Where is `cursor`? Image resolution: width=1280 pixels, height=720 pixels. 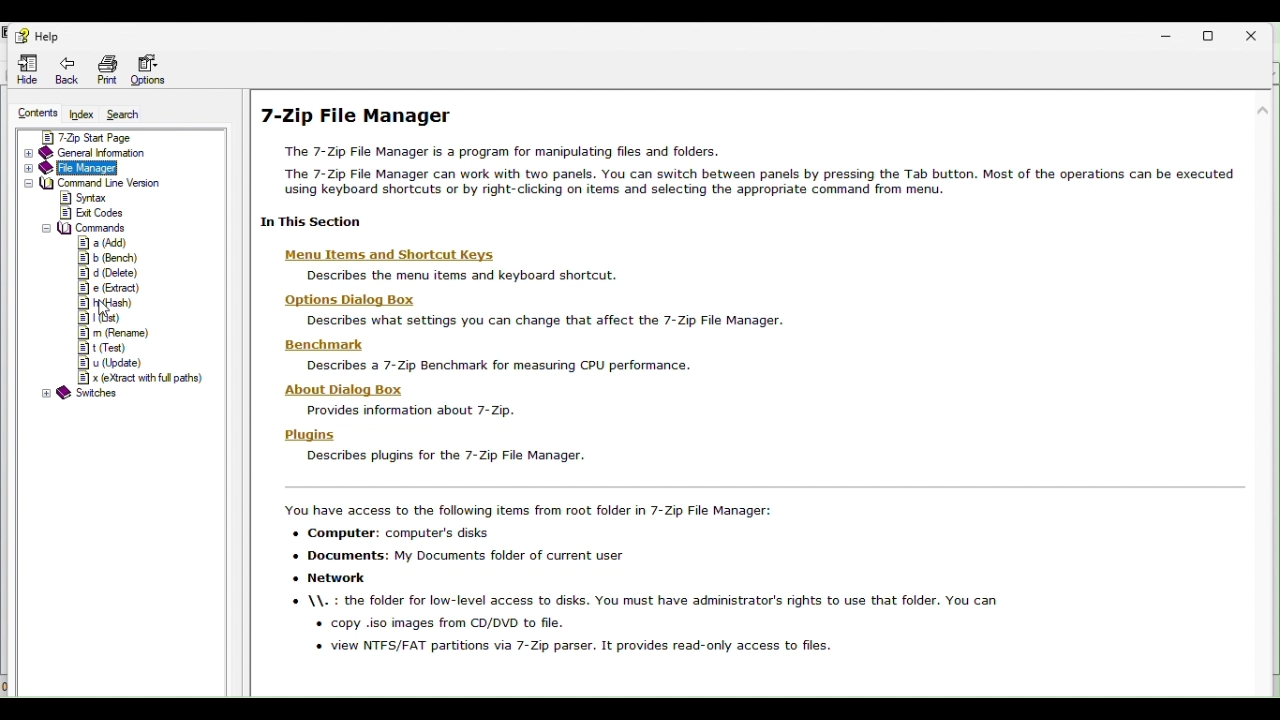
cursor is located at coordinates (104, 309).